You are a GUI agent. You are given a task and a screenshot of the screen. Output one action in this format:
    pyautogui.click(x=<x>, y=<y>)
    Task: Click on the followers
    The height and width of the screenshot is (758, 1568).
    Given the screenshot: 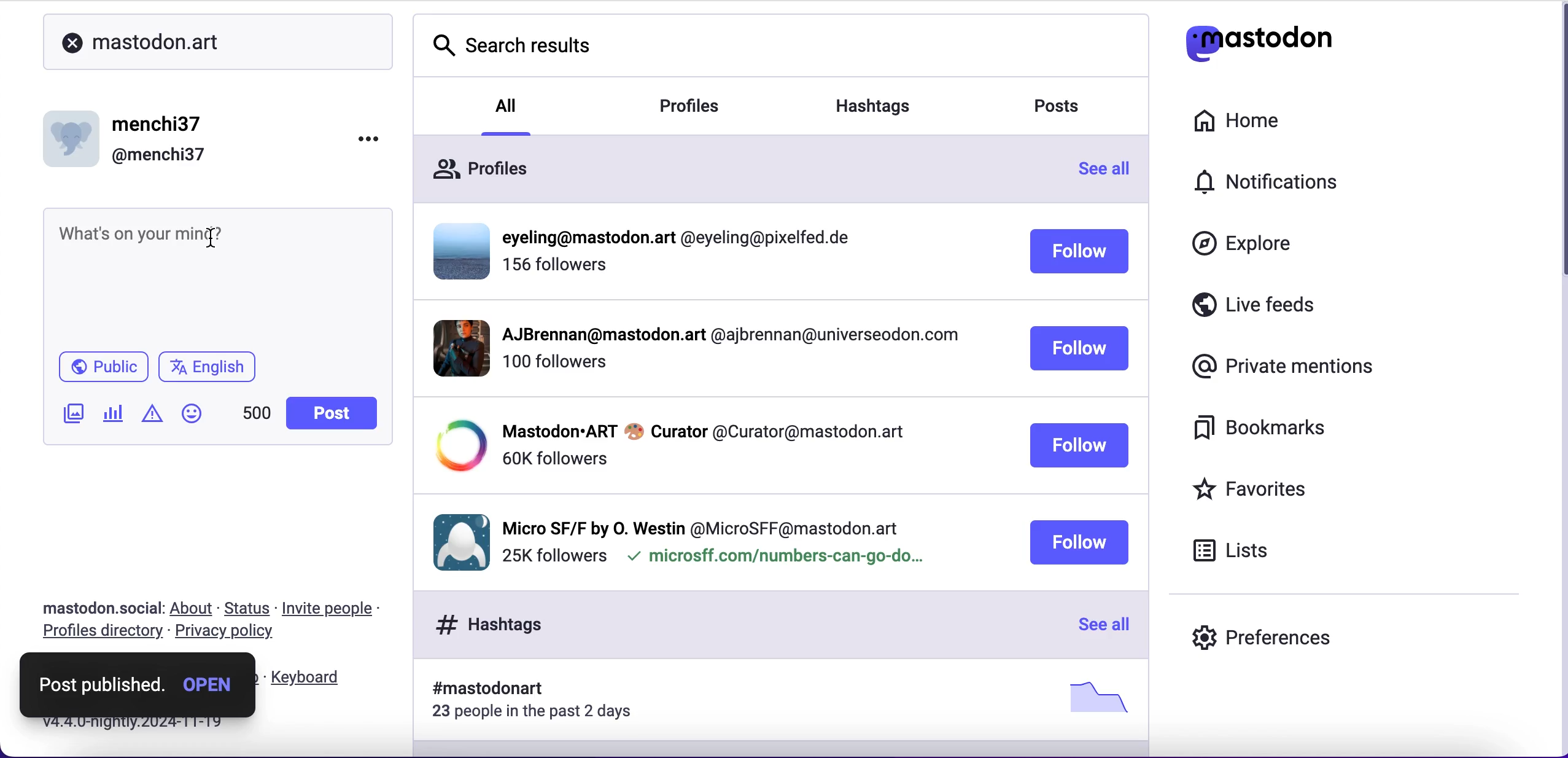 What is the action you would take?
    pyautogui.click(x=557, y=270)
    